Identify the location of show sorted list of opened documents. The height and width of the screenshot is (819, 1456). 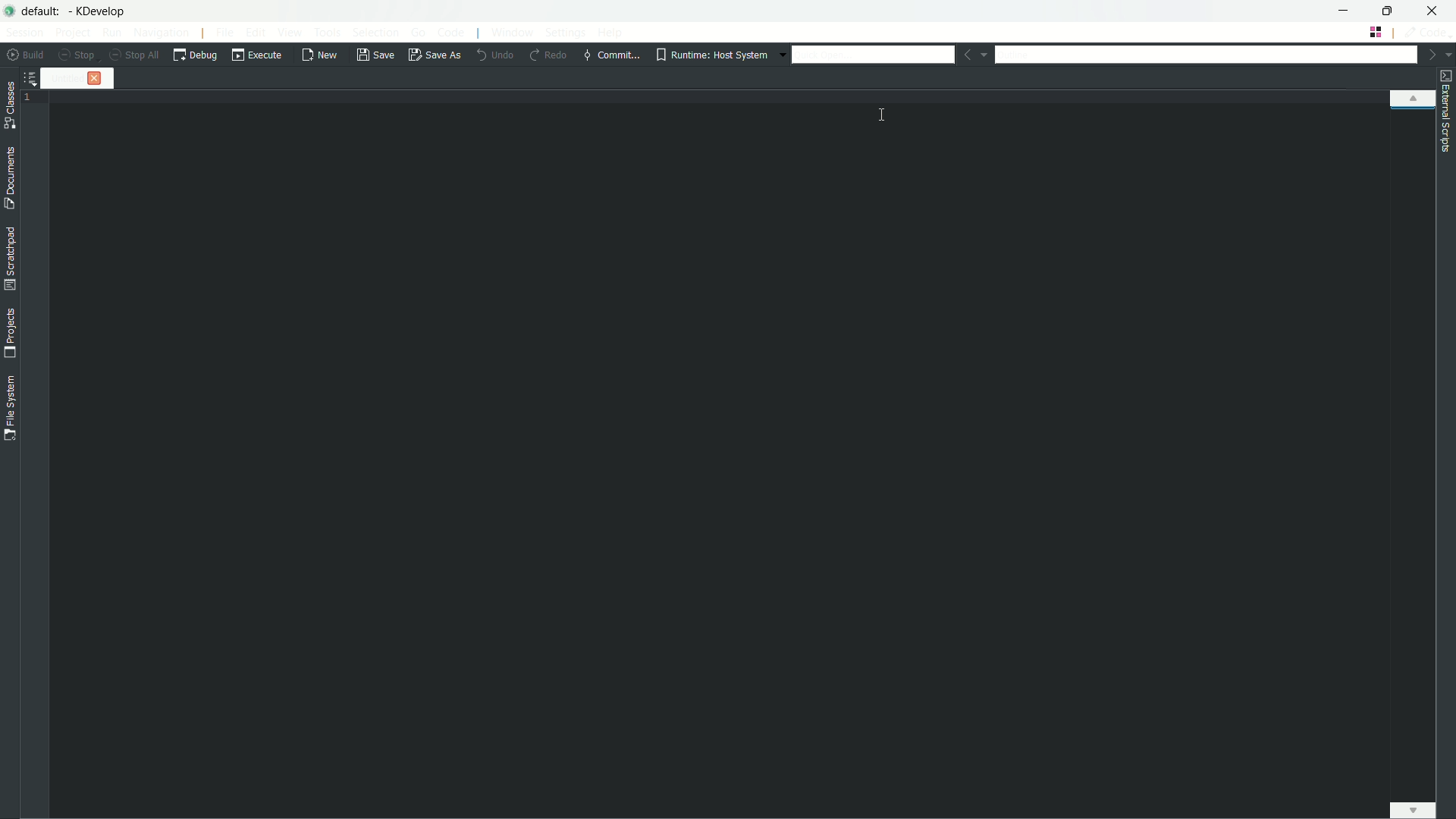
(33, 78).